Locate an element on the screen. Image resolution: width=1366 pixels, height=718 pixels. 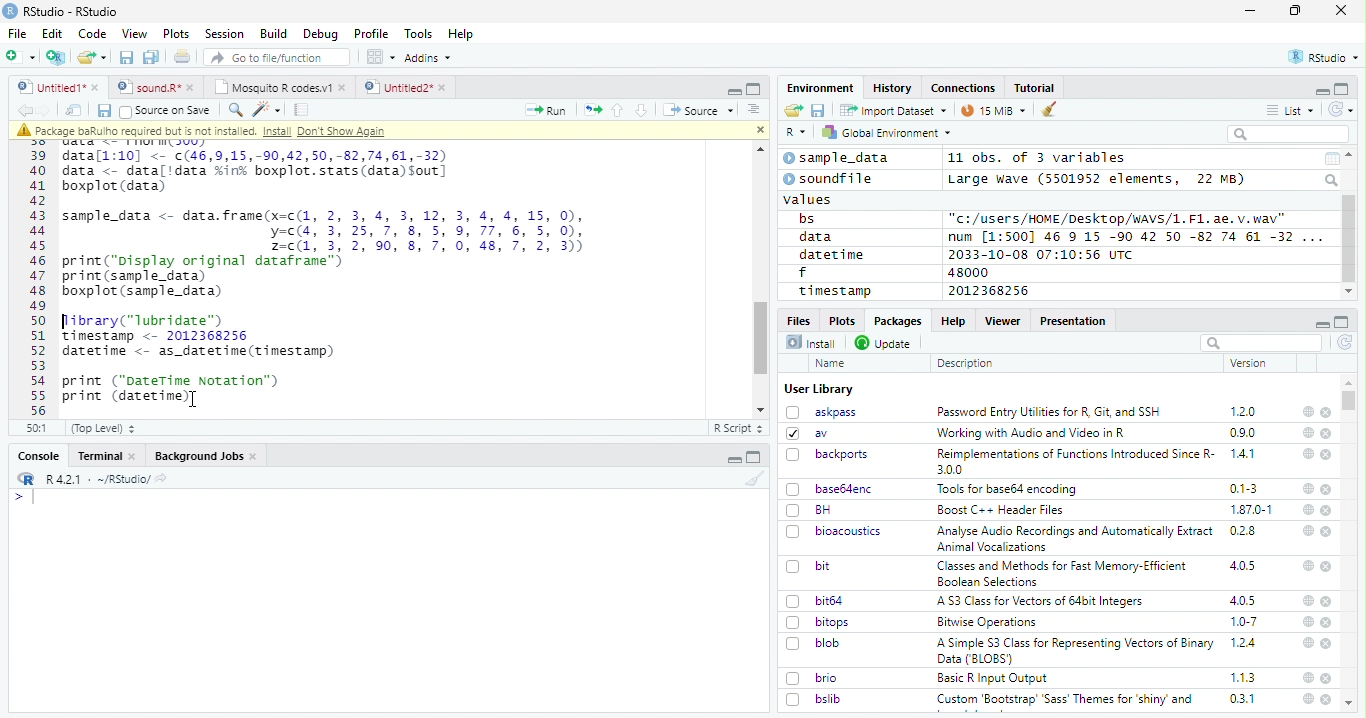
Refresh is located at coordinates (1346, 344).